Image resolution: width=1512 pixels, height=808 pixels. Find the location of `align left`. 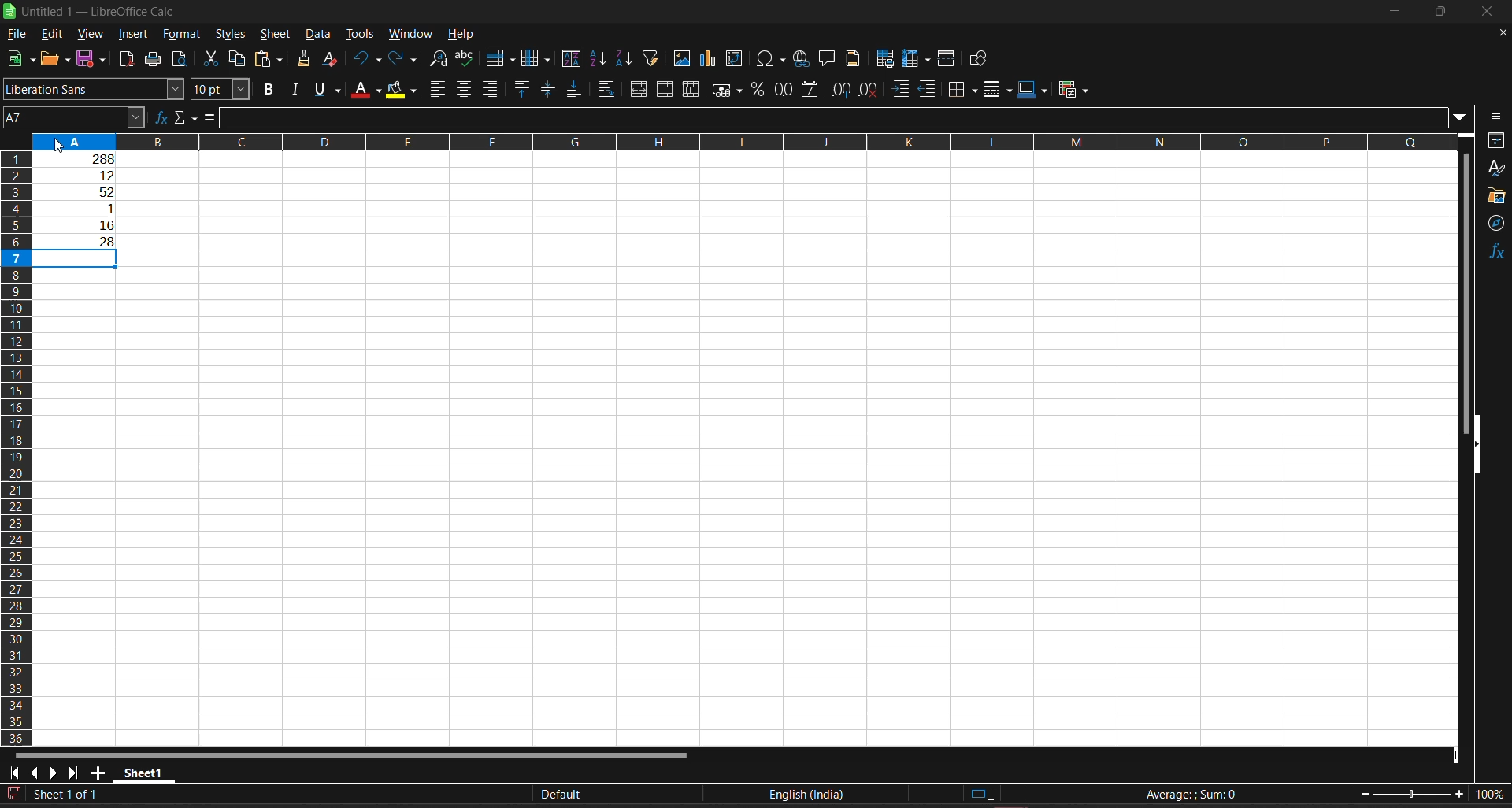

align left is located at coordinates (436, 88).